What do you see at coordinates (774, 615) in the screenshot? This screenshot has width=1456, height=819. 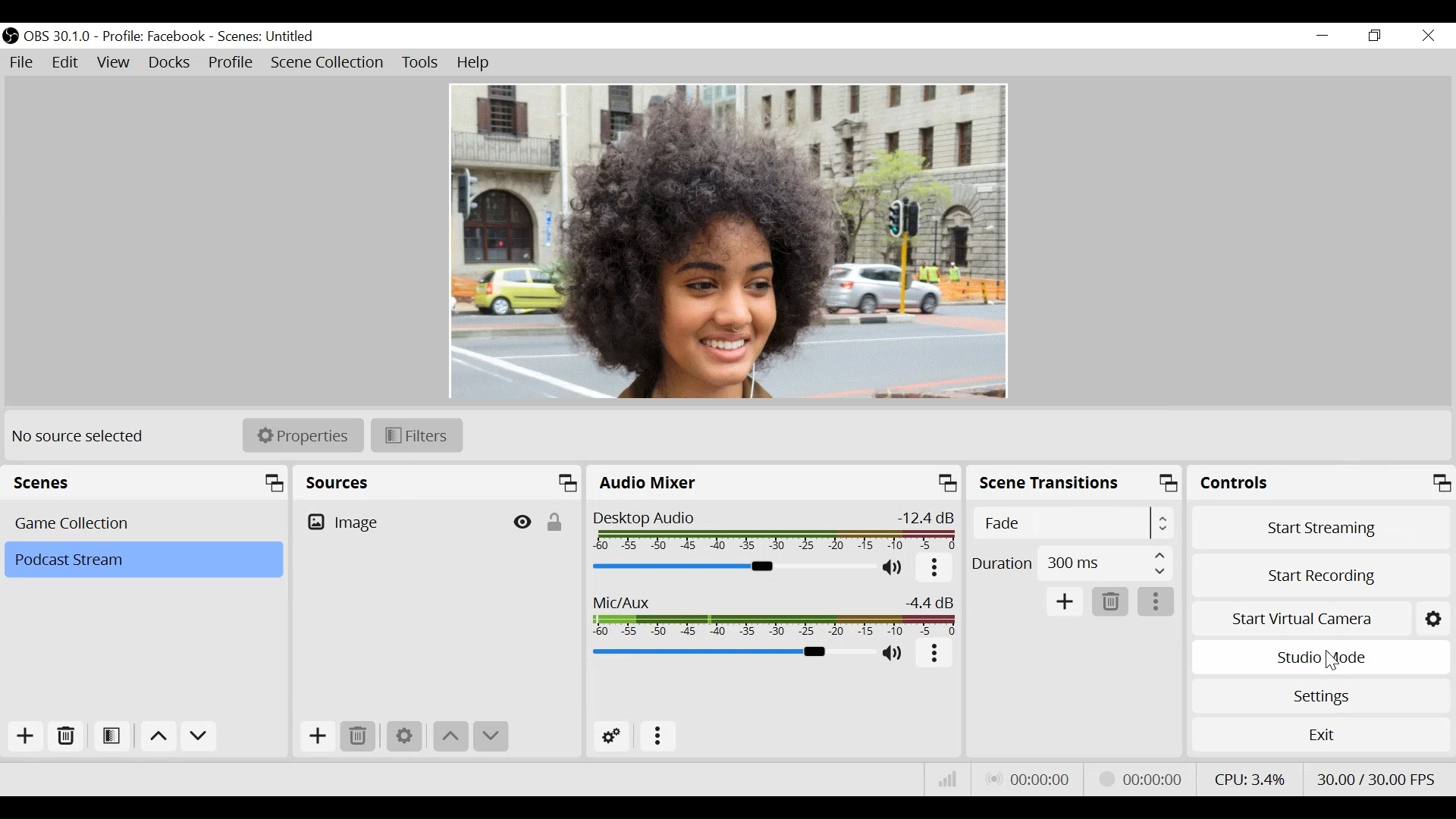 I see `Mic/Aux` at bounding box center [774, 615].